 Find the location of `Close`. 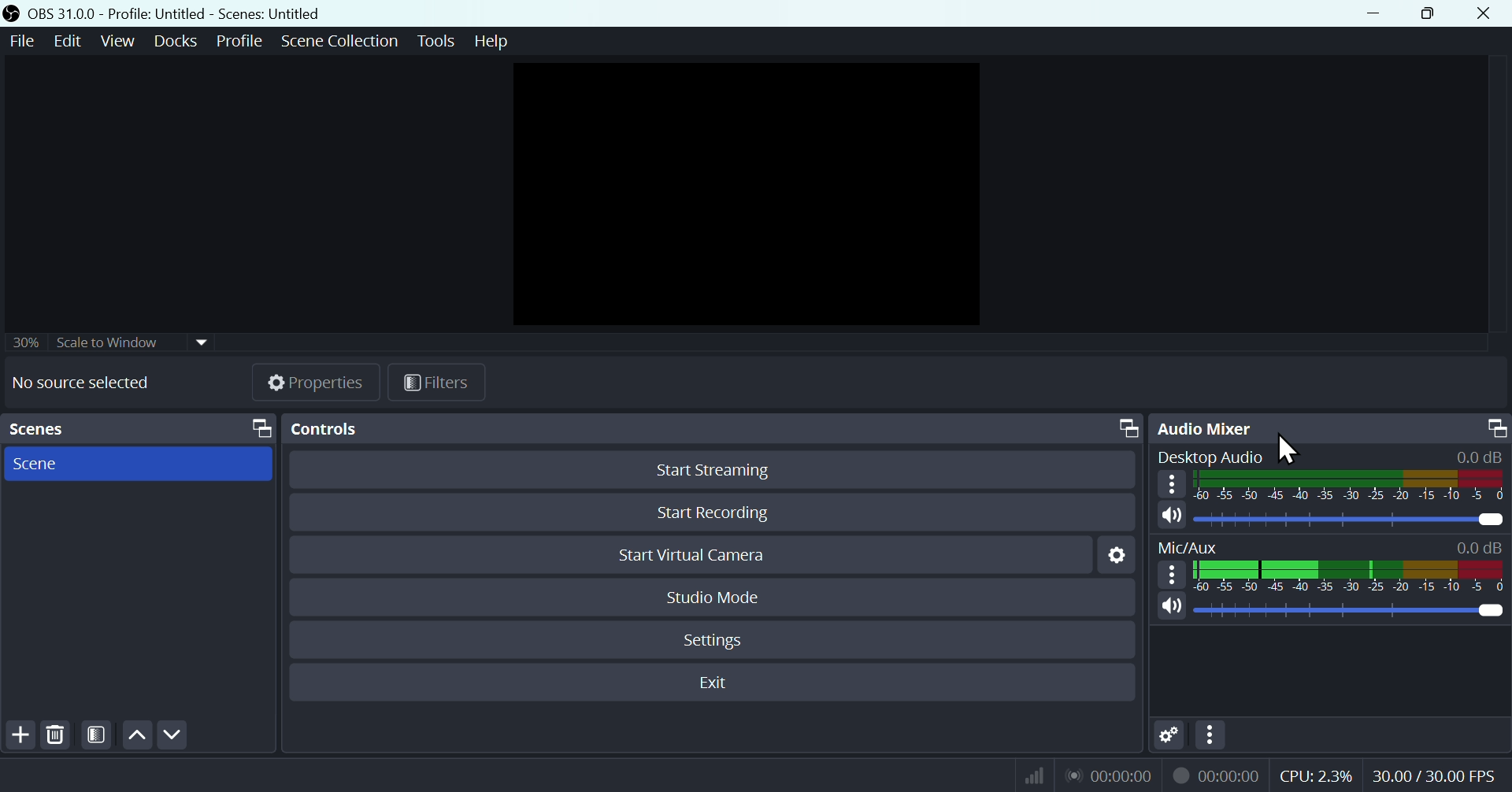

Close is located at coordinates (1484, 13).